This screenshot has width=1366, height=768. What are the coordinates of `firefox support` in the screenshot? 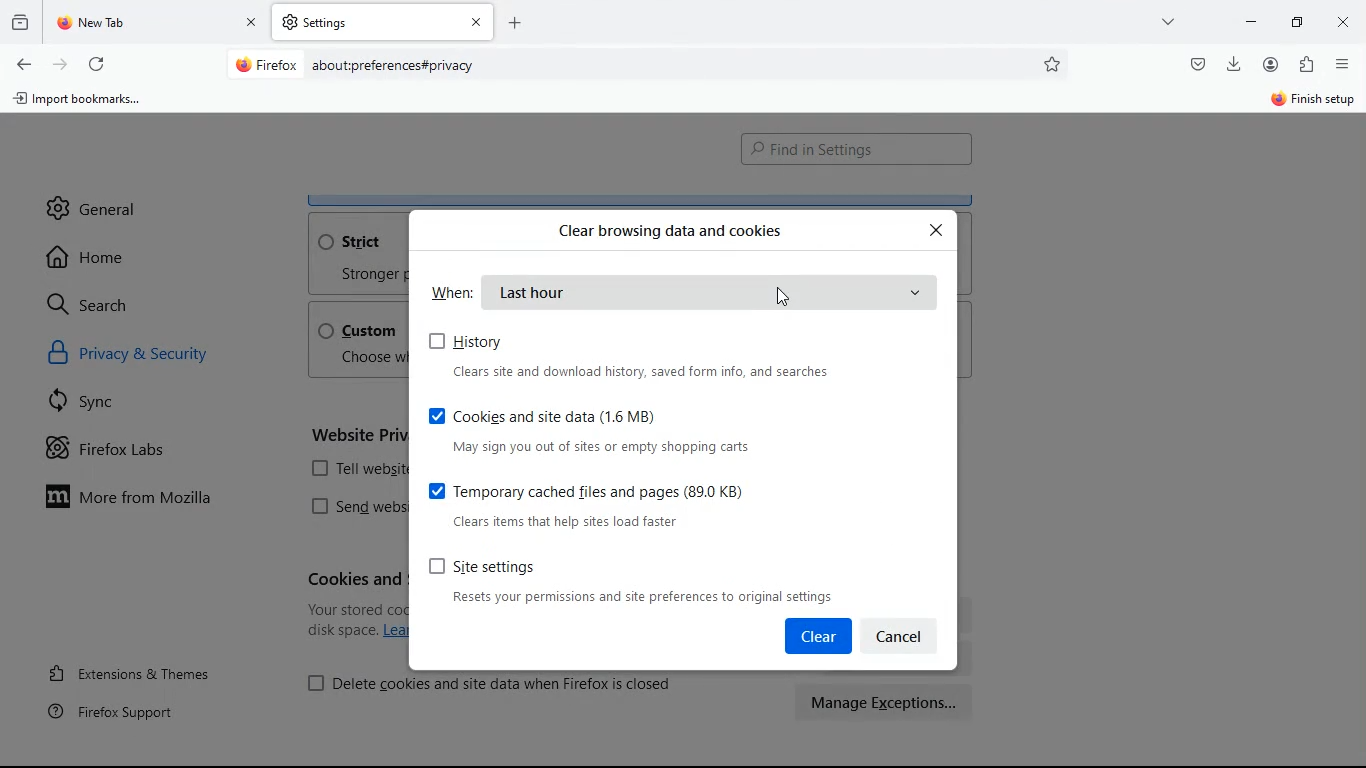 It's located at (124, 711).